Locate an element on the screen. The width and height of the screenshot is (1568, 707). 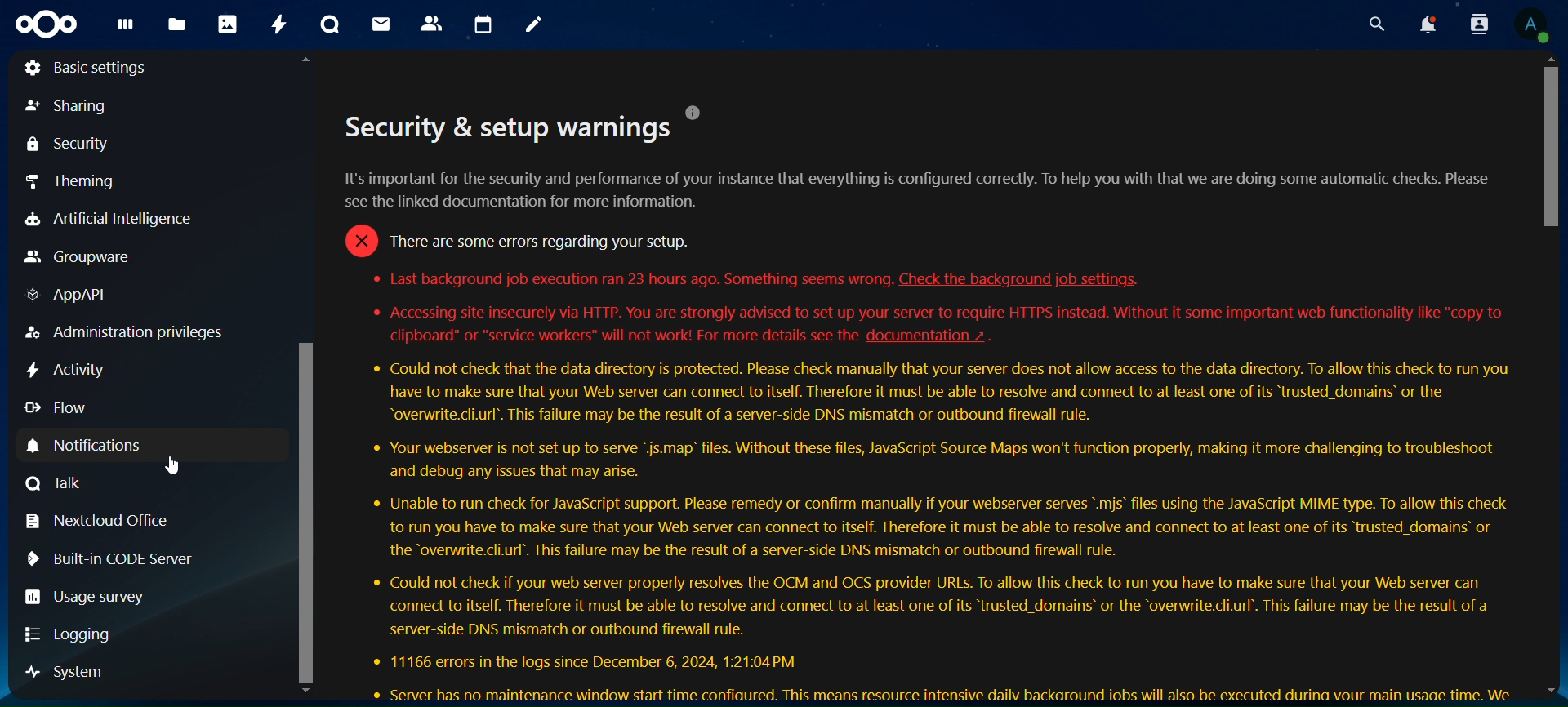
files is located at coordinates (176, 25).